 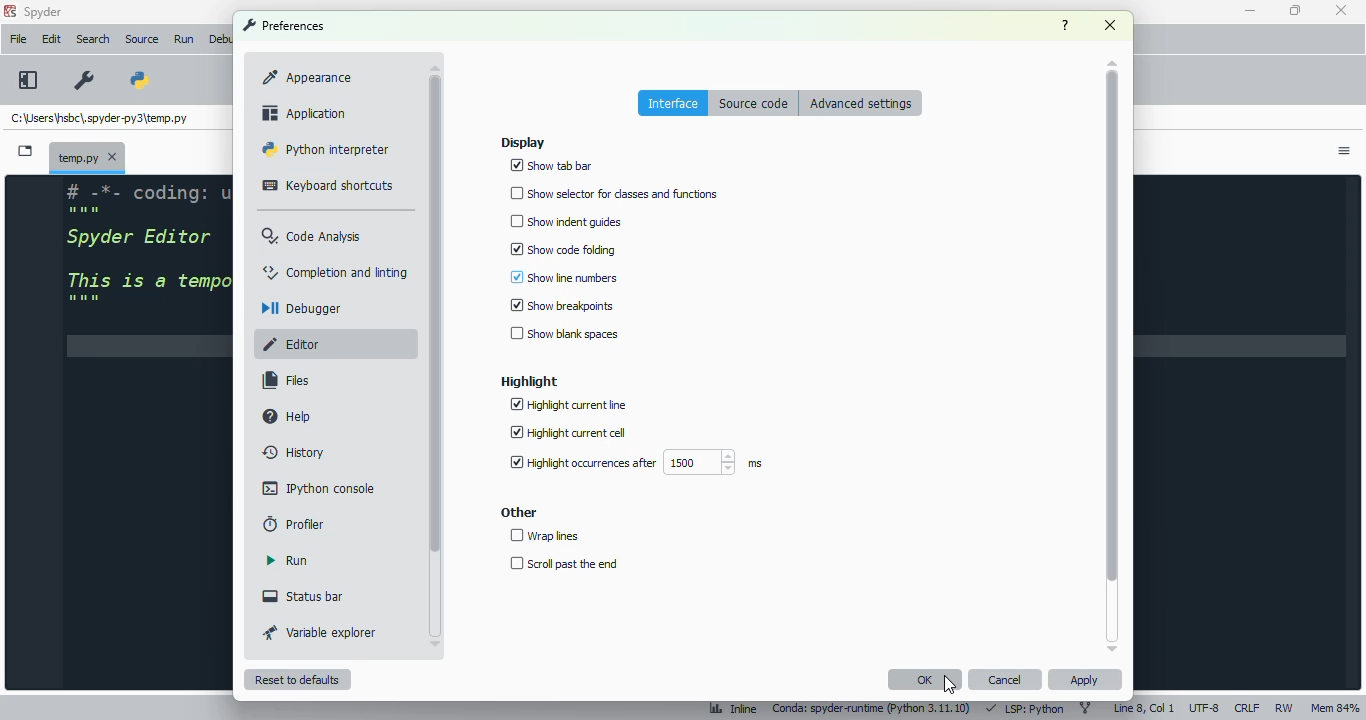 What do you see at coordinates (1144, 707) in the screenshot?
I see `line 8, col 8` at bounding box center [1144, 707].